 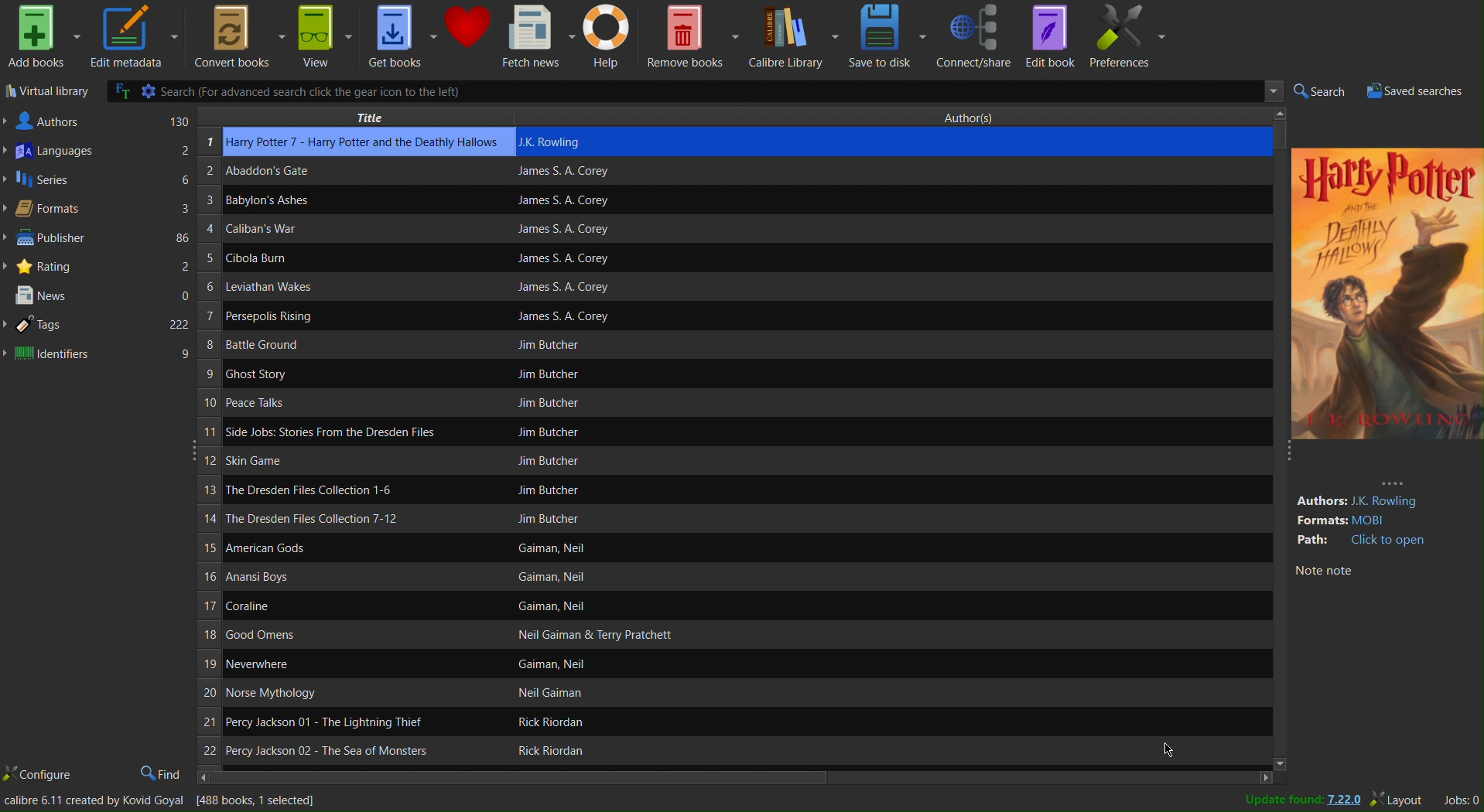 What do you see at coordinates (1372, 573) in the screenshot?
I see `note` at bounding box center [1372, 573].